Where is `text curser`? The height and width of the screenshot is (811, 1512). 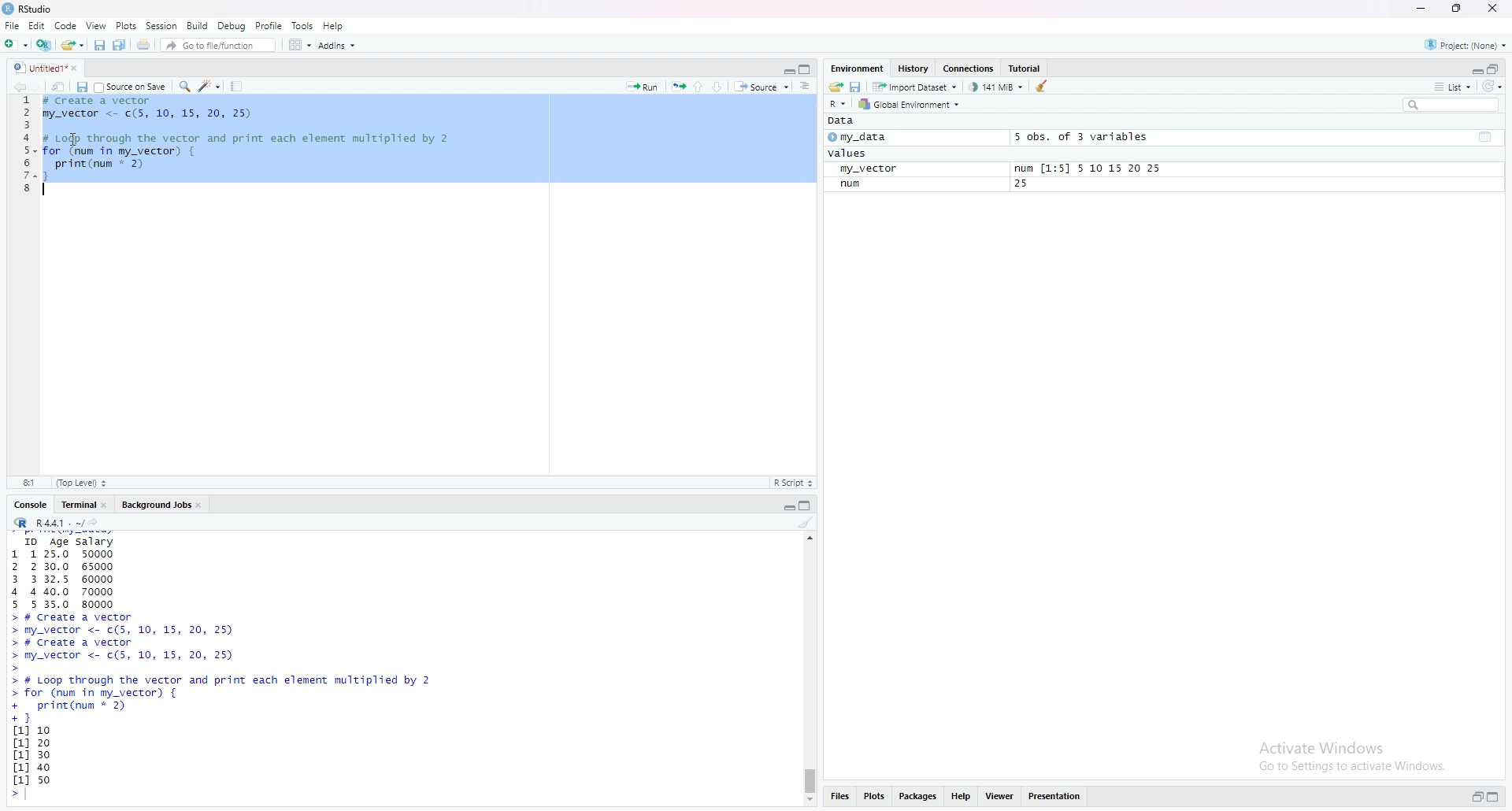
text curser is located at coordinates (31, 795).